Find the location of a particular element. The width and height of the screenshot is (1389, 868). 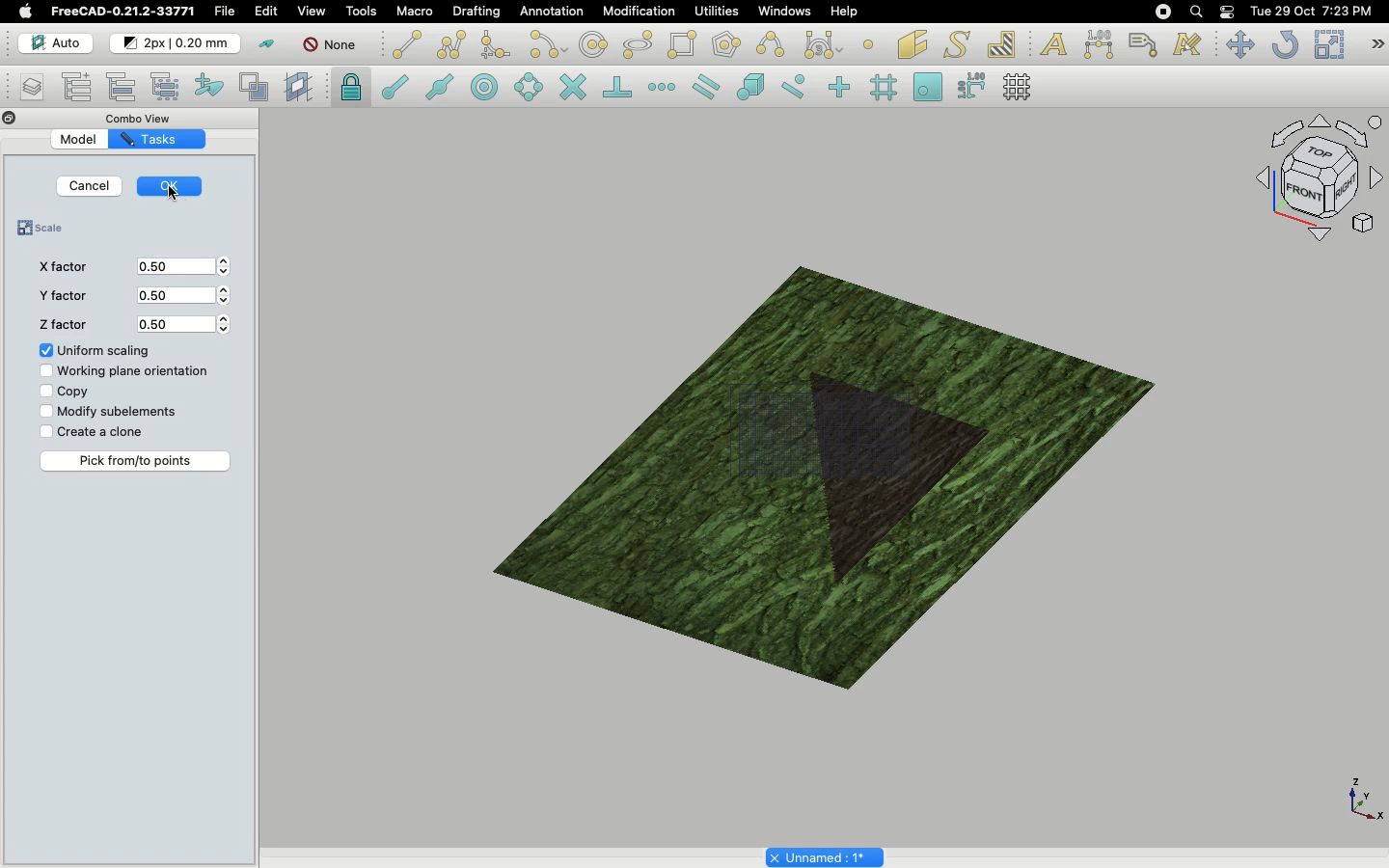

Windows is located at coordinates (782, 12).